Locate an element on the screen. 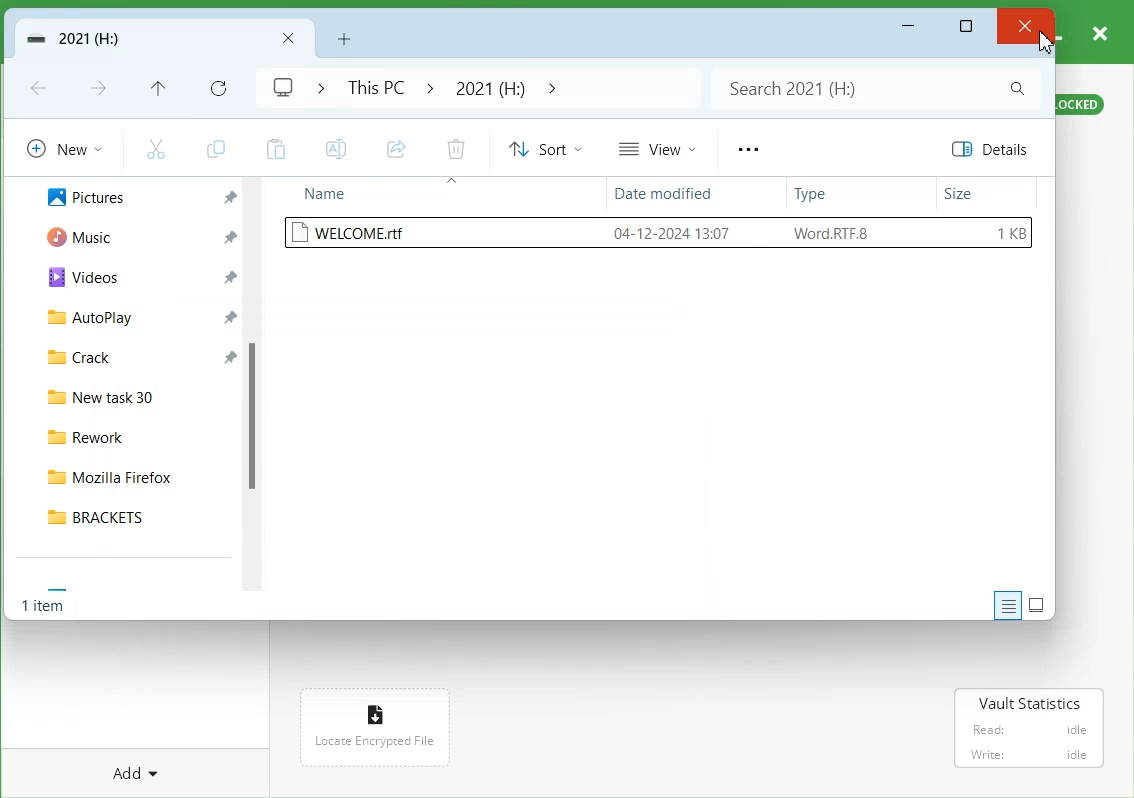 Image resolution: width=1134 pixels, height=798 pixels. Drop down box is located at coordinates (549, 87).